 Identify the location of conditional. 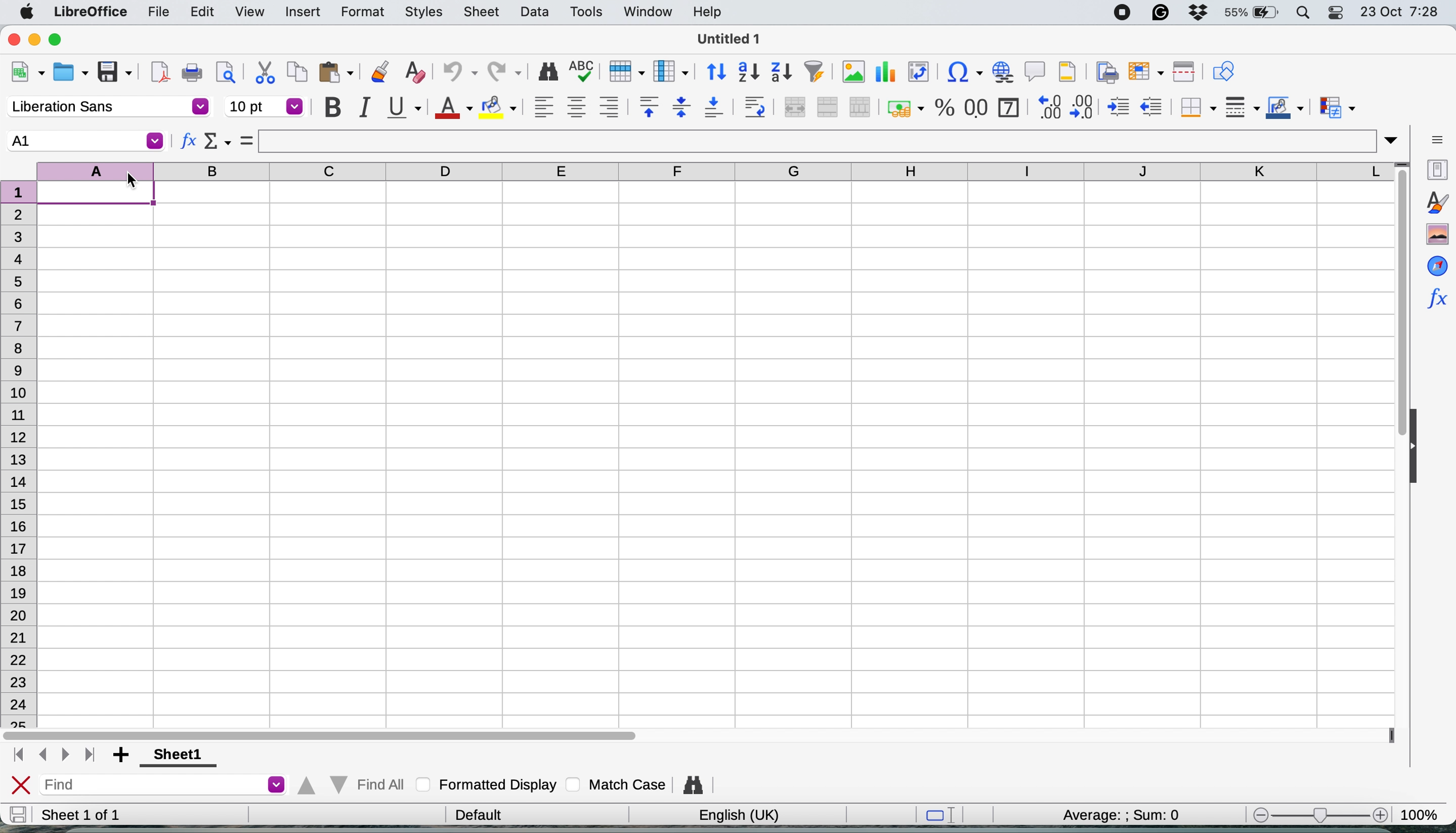
(1333, 105).